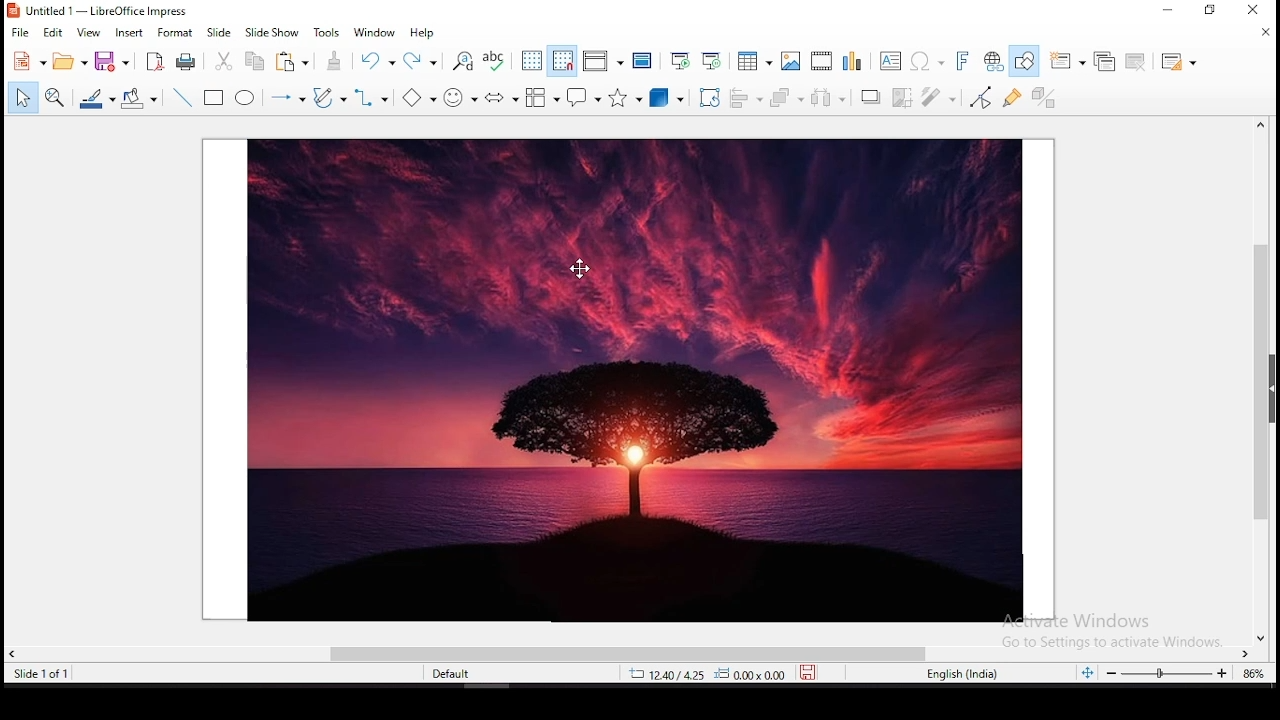 This screenshot has height=720, width=1280. What do you see at coordinates (220, 32) in the screenshot?
I see `slide` at bounding box center [220, 32].